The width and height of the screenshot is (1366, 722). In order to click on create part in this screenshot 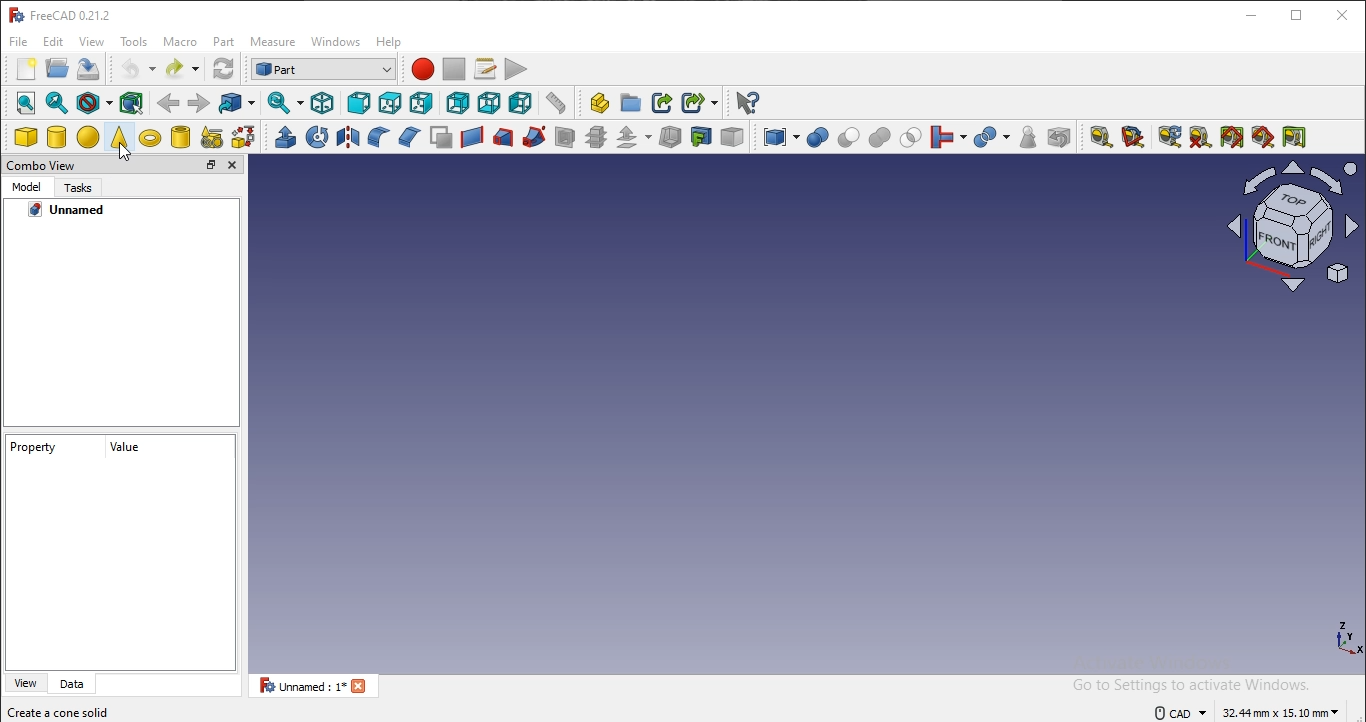, I will do `click(600, 104)`.